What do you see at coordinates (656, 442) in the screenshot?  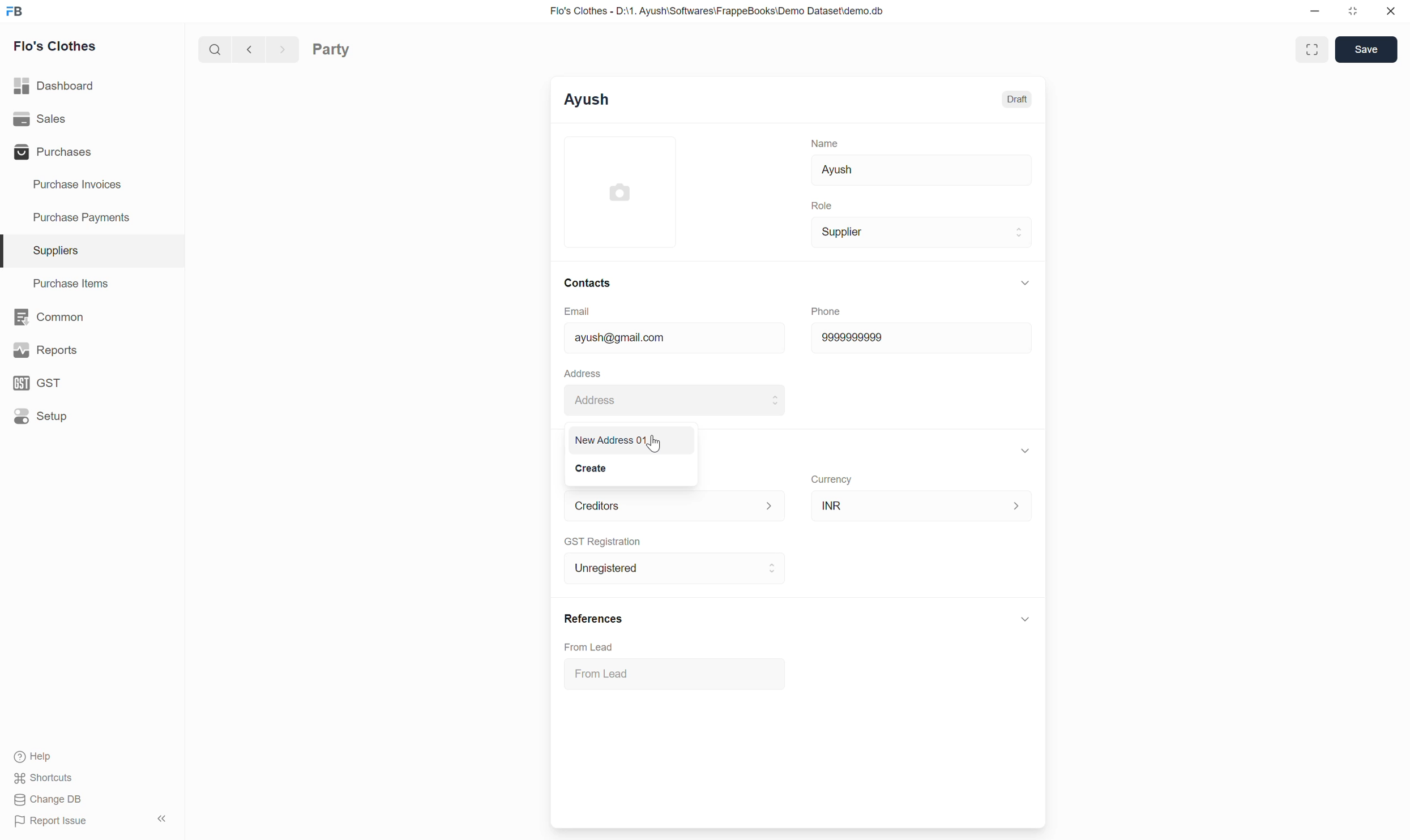 I see `Cursor` at bounding box center [656, 442].